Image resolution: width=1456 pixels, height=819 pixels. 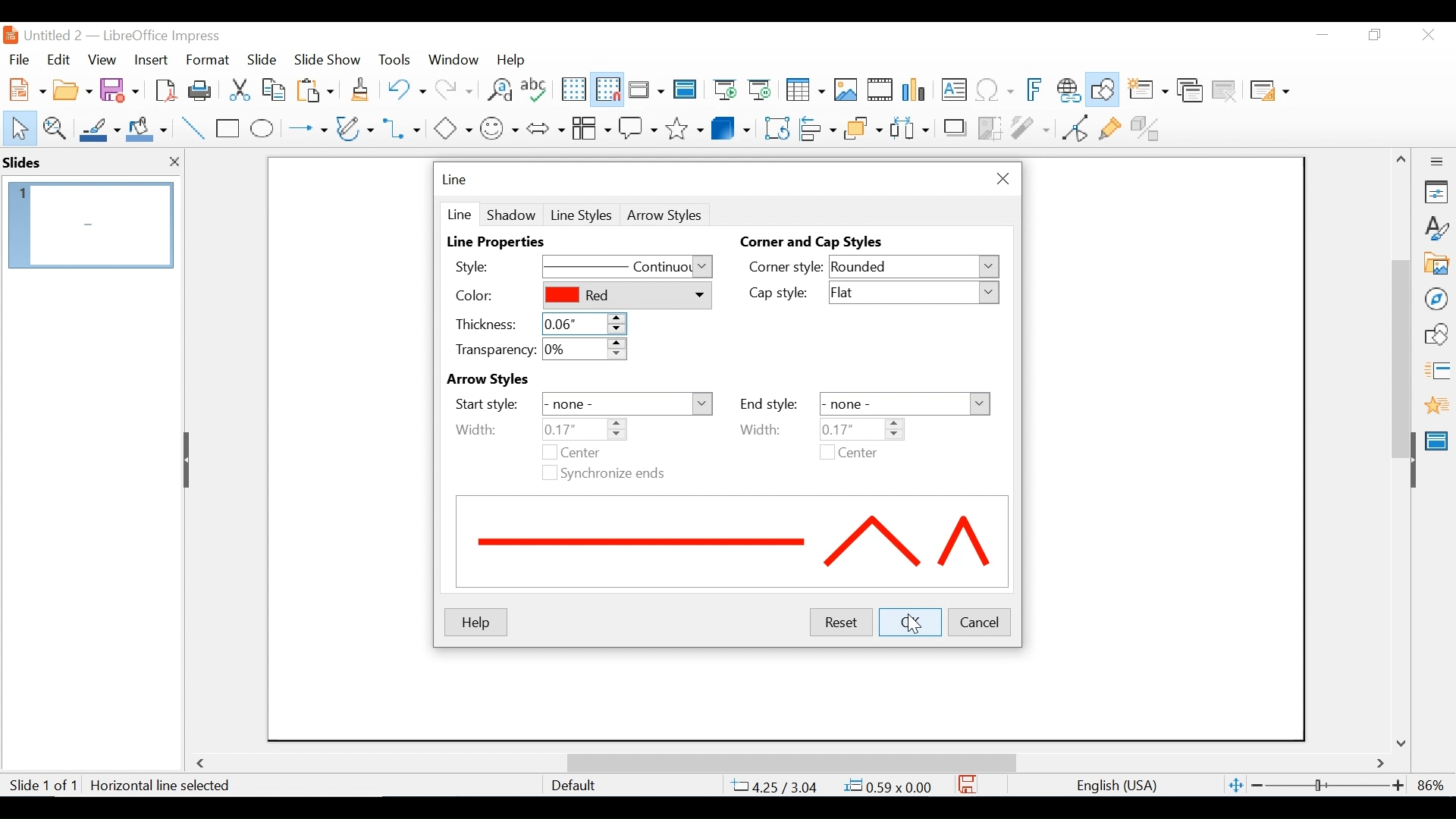 What do you see at coordinates (475, 623) in the screenshot?
I see `Help` at bounding box center [475, 623].